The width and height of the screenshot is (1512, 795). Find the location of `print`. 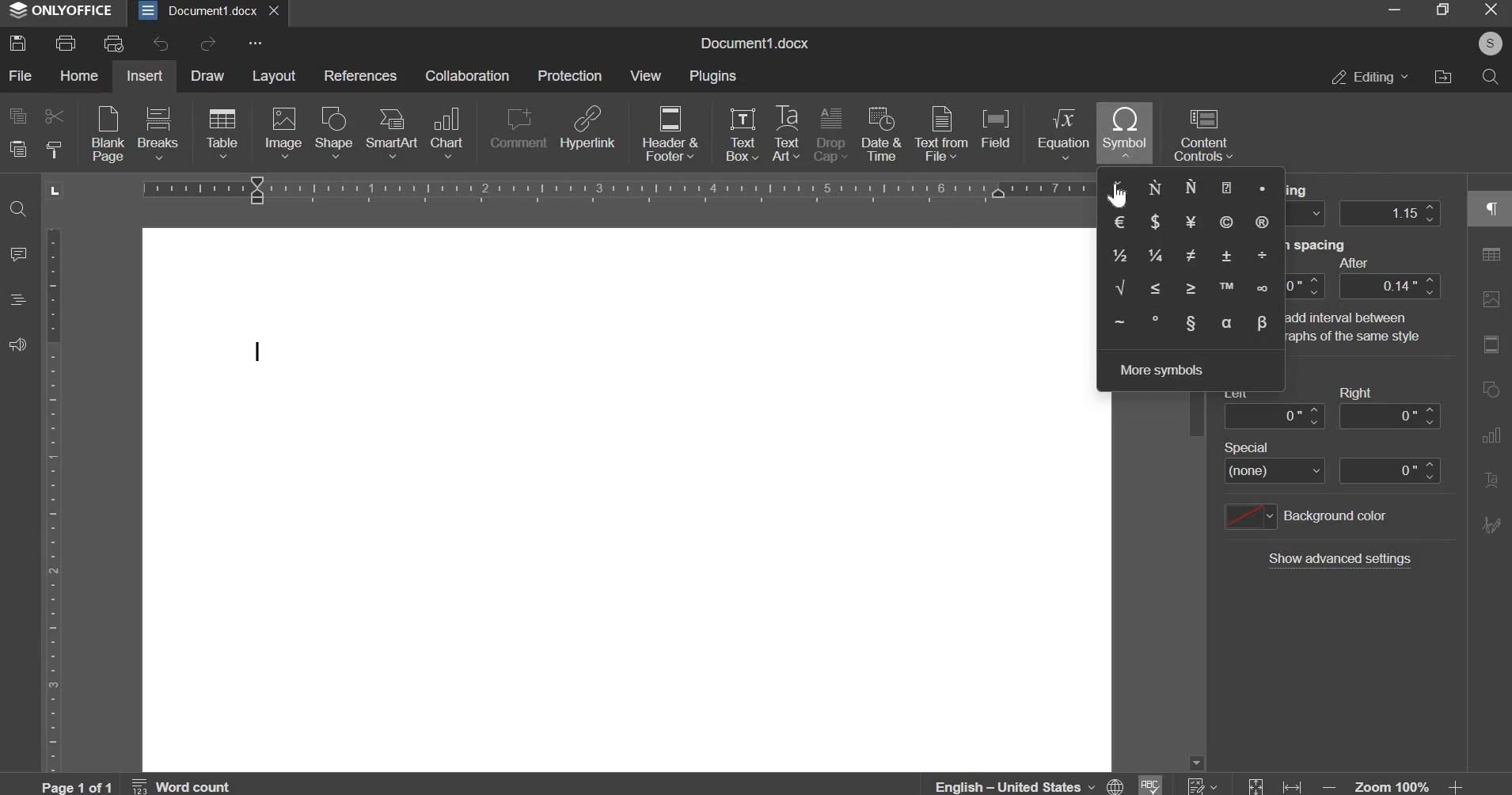

print is located at coordinates (64, 43).